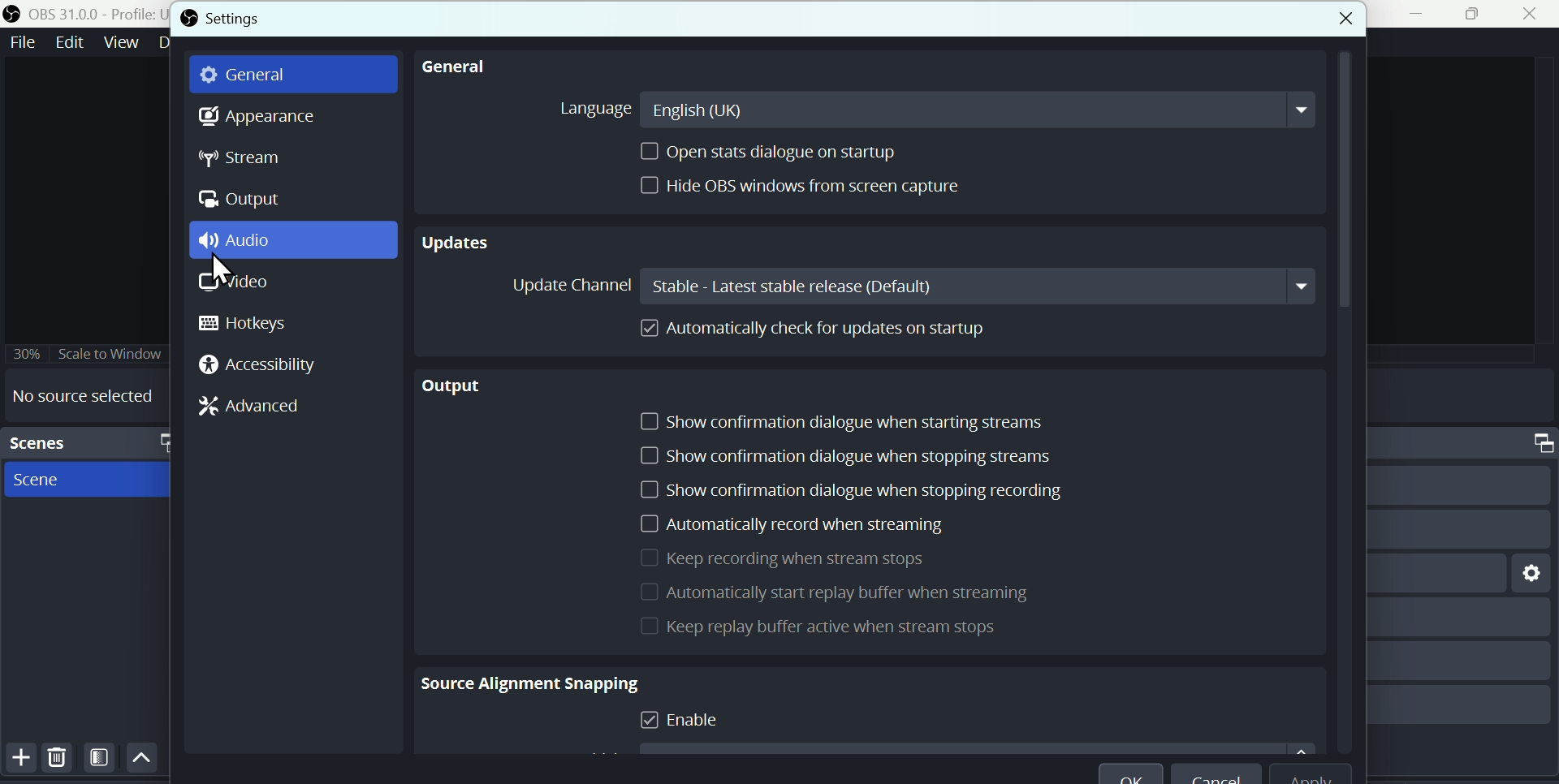  I want to click on setting, so click(1527, 571).